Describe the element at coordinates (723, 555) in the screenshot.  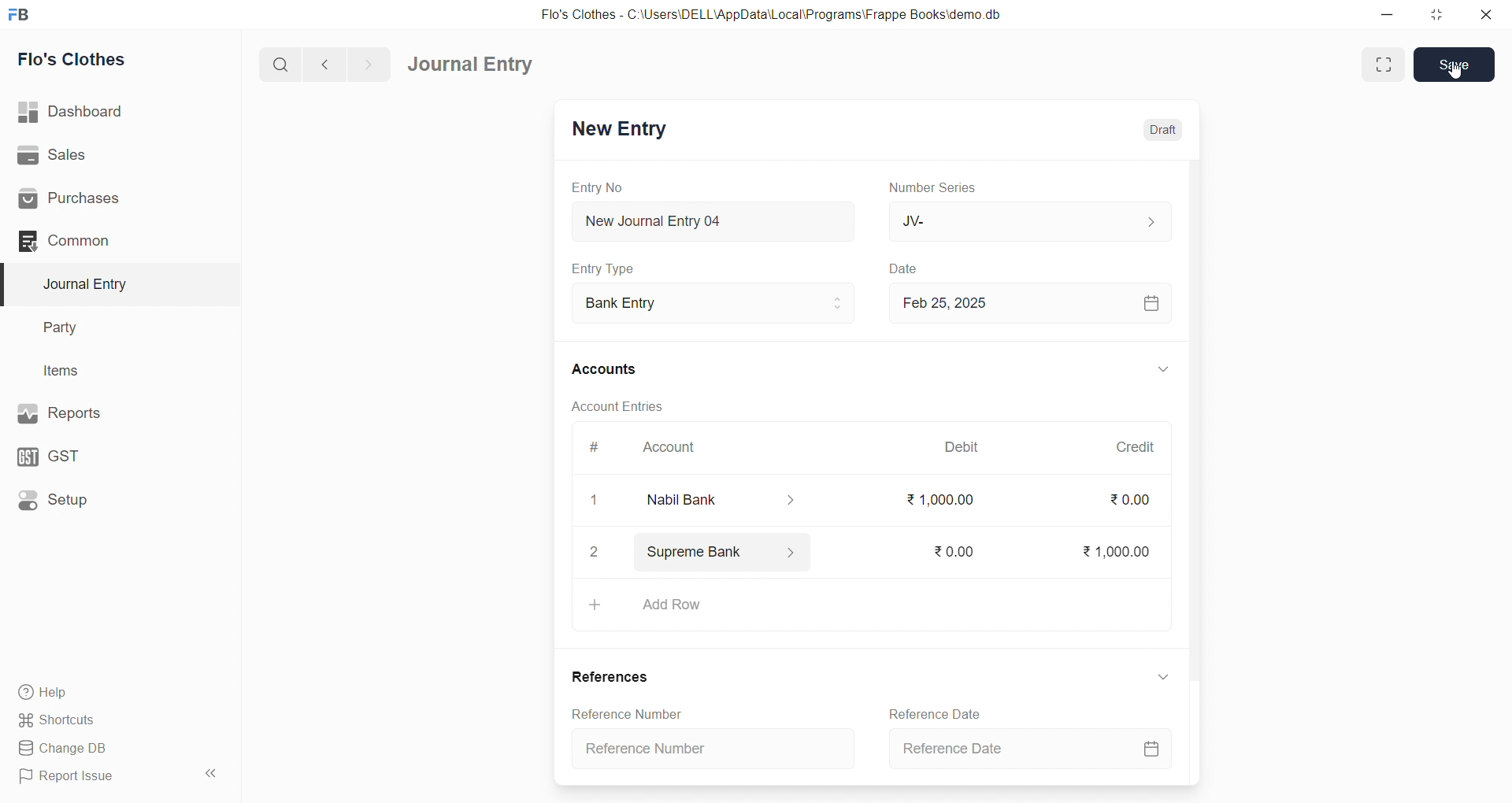
I see `Supreme Bank` at that location.